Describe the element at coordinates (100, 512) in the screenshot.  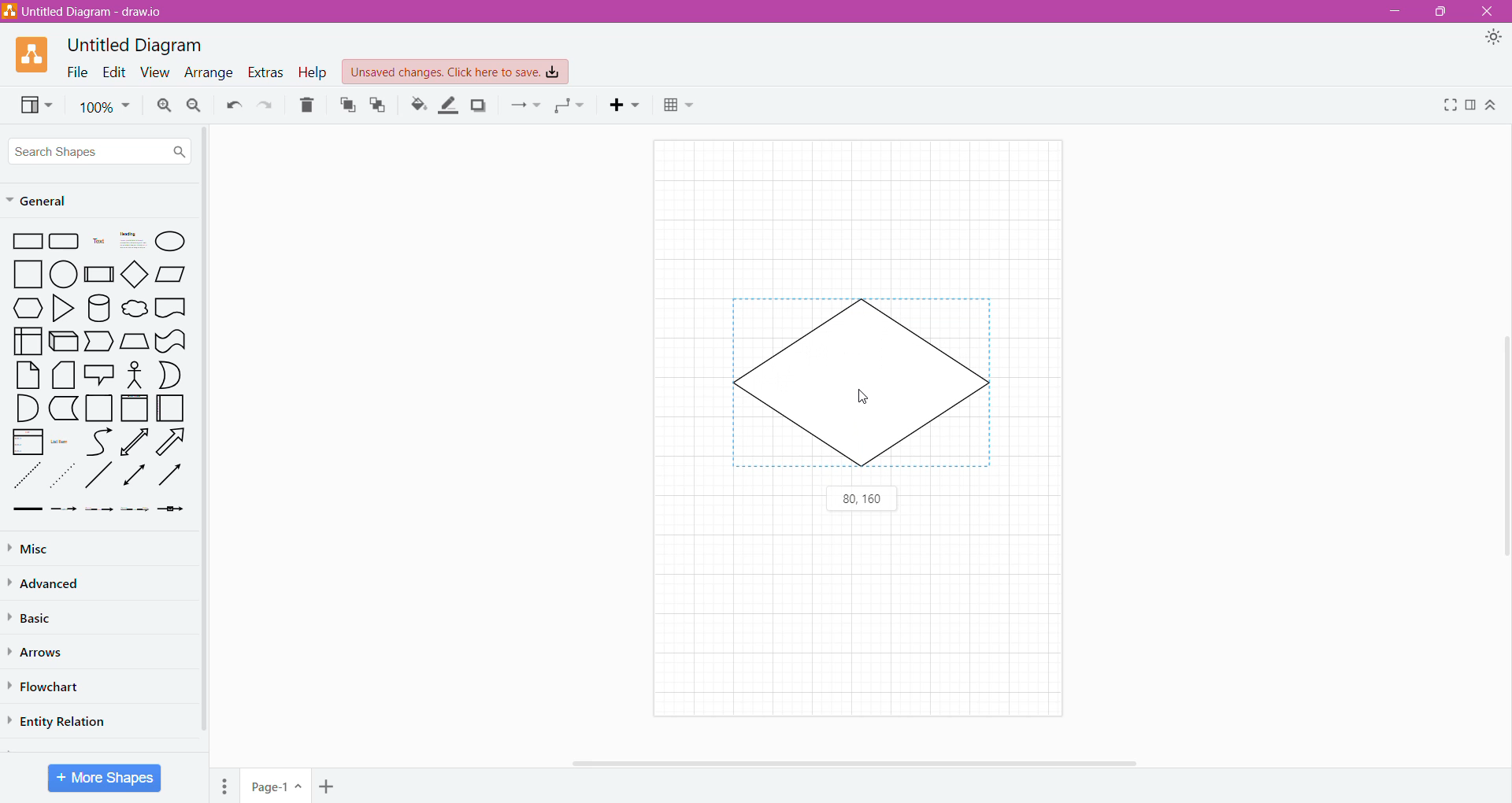
I see `Connector with 2 Labels` at that location.